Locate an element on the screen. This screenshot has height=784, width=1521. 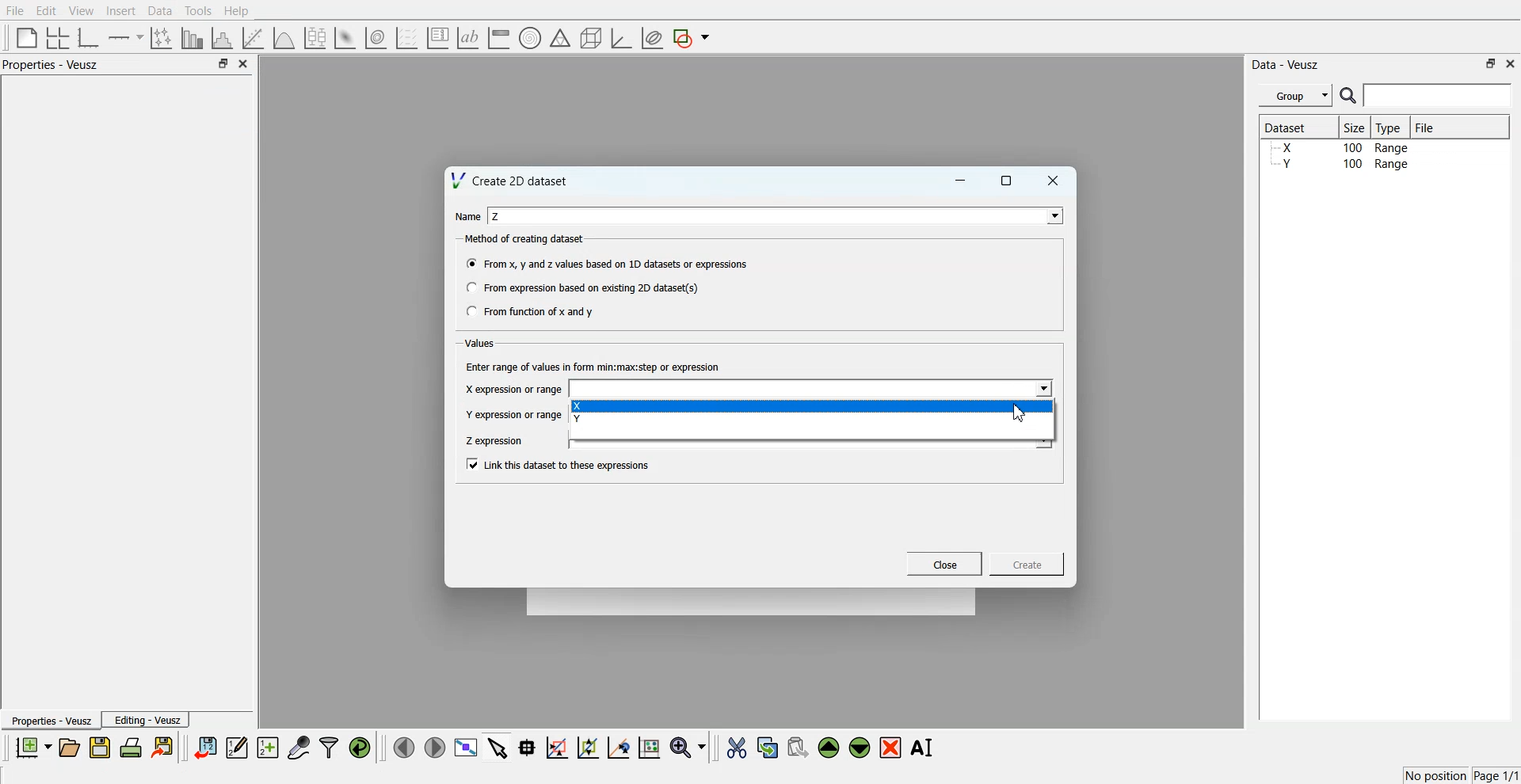
}  Zexpression is located at coordinates (496, 441).